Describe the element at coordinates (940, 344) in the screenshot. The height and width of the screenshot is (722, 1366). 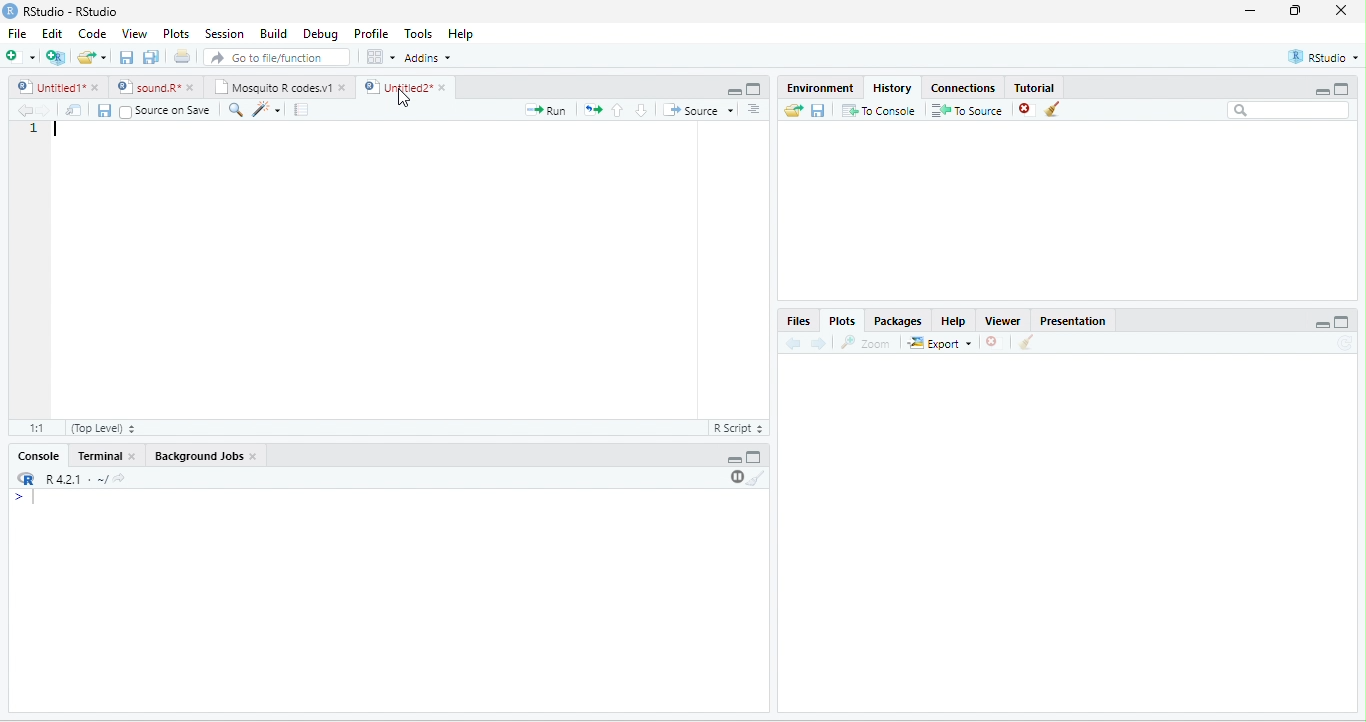
I see `Export` at that location.